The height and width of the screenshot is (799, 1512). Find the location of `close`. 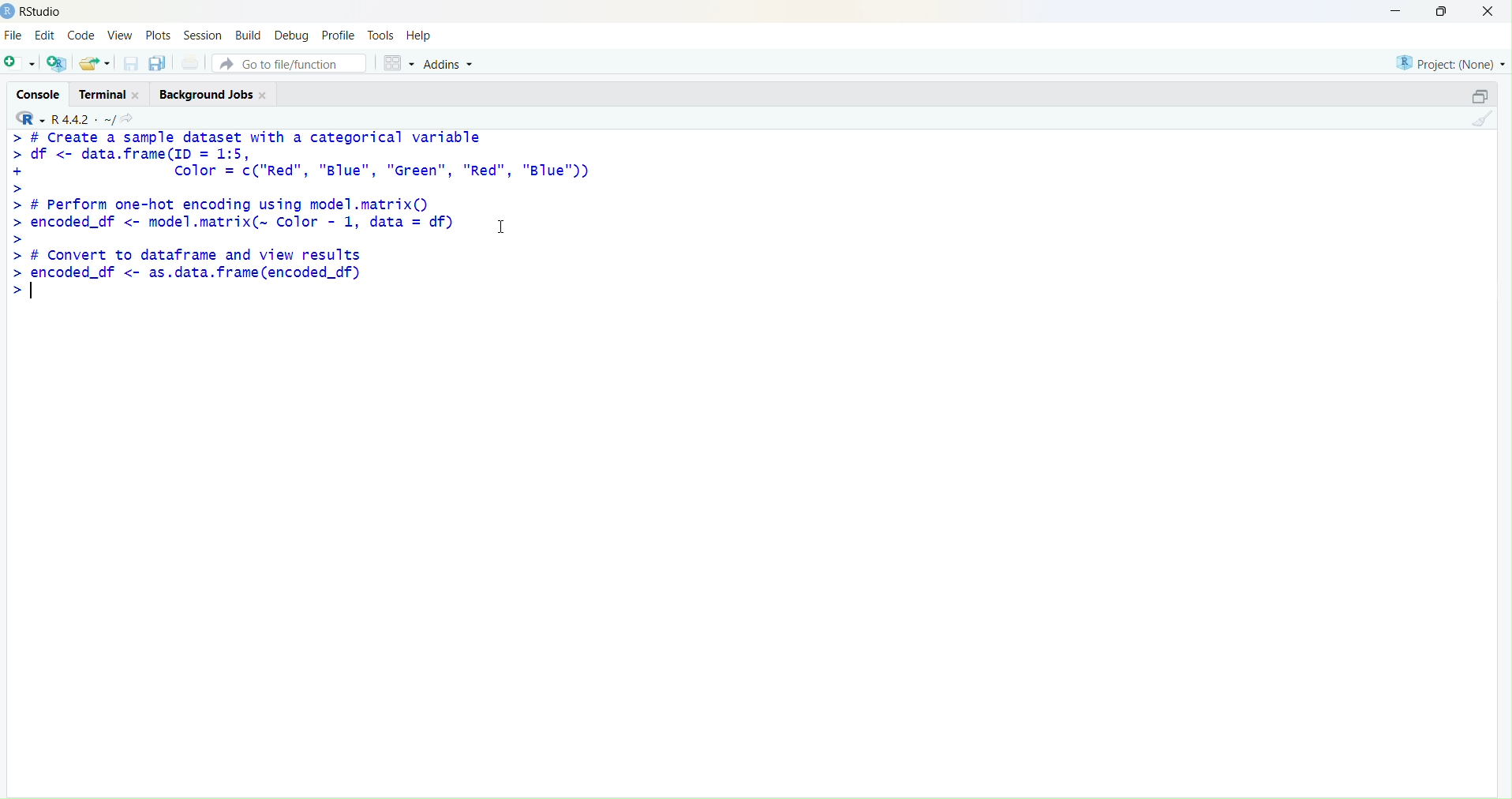

close is located at coordinates (264, 96).